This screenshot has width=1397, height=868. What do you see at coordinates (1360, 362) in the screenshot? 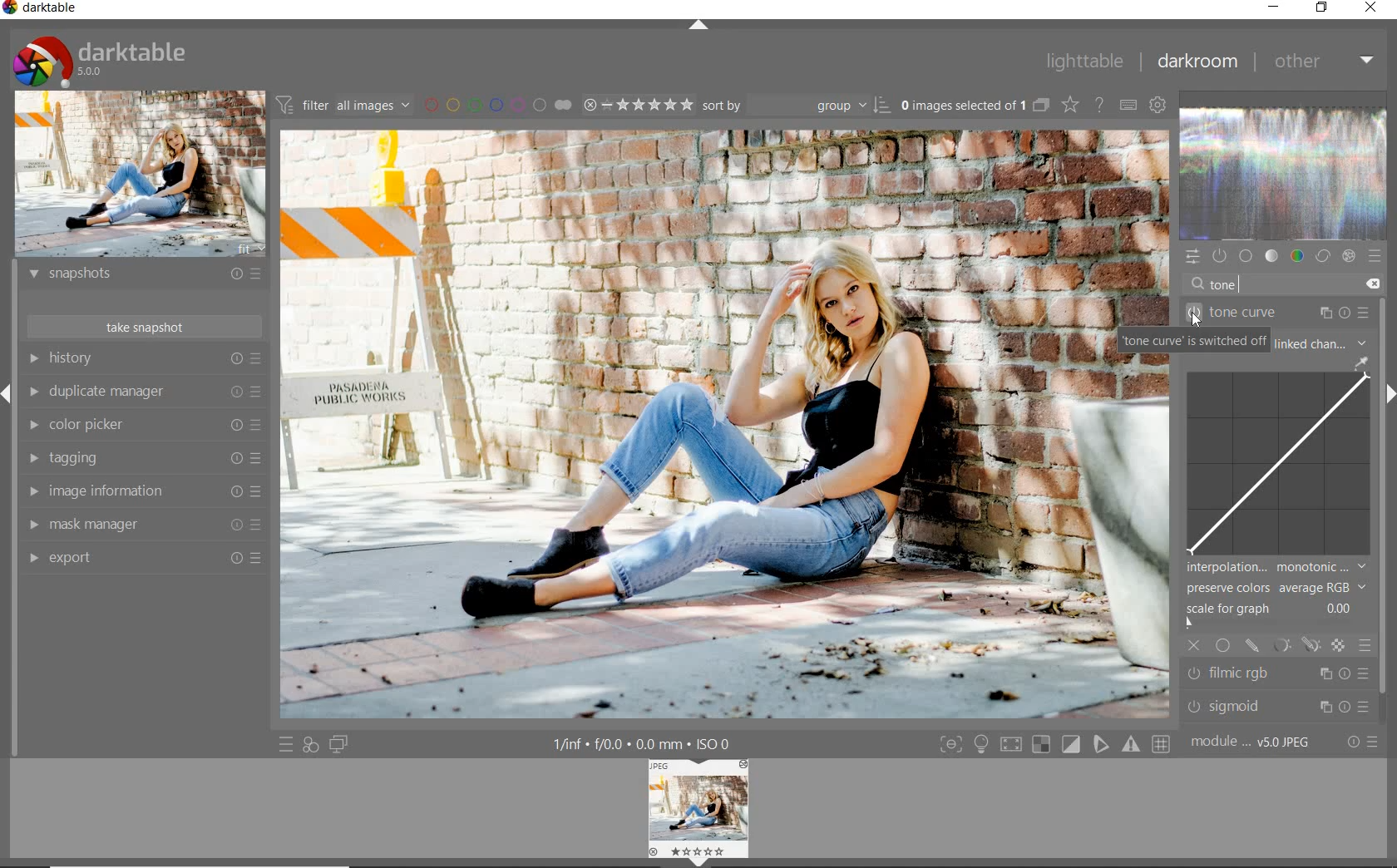
I see `pick gui color from image` at bounding box center [1360, 362].